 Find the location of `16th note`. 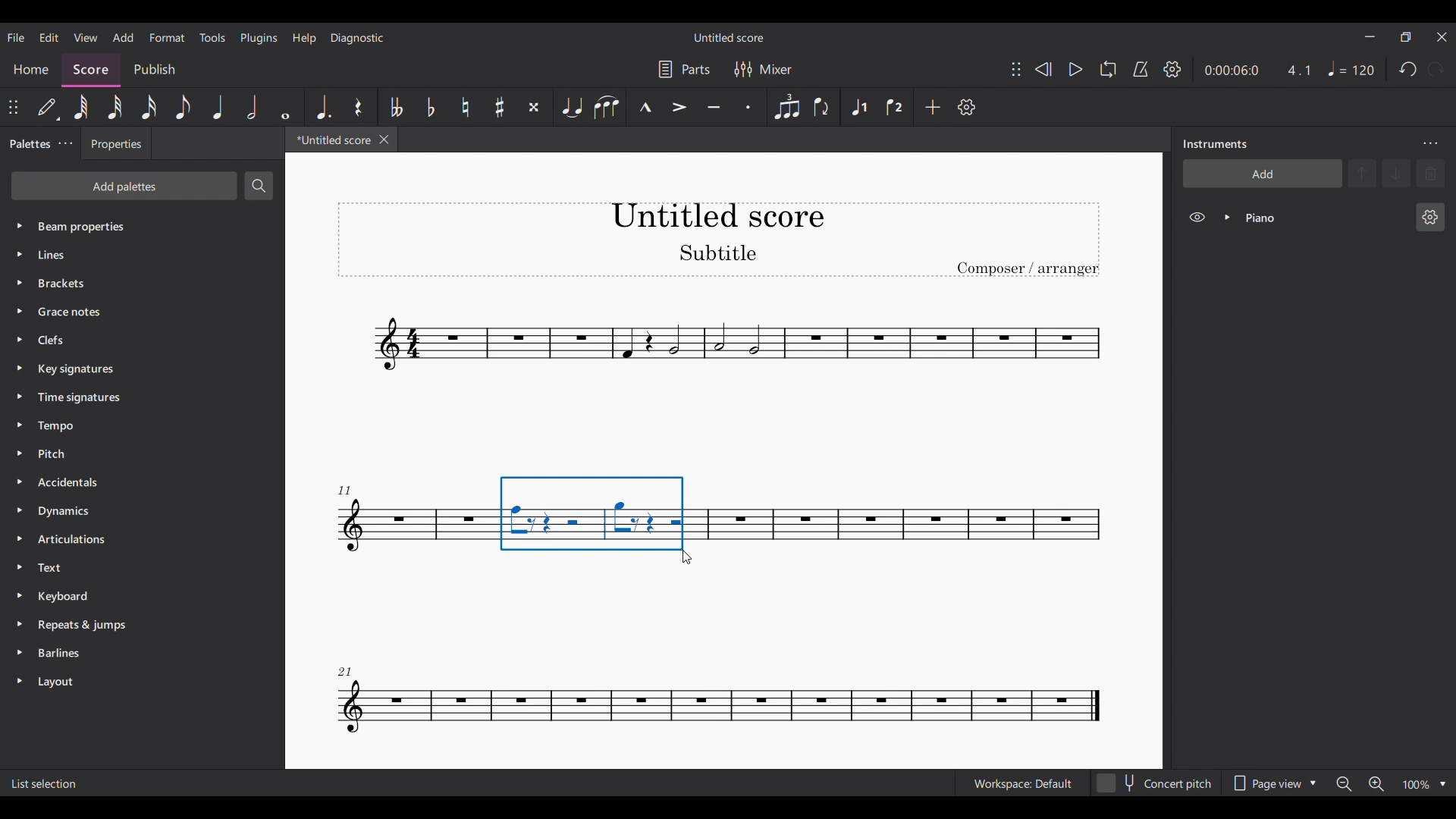

16th note is located at coordinates (148, 107).